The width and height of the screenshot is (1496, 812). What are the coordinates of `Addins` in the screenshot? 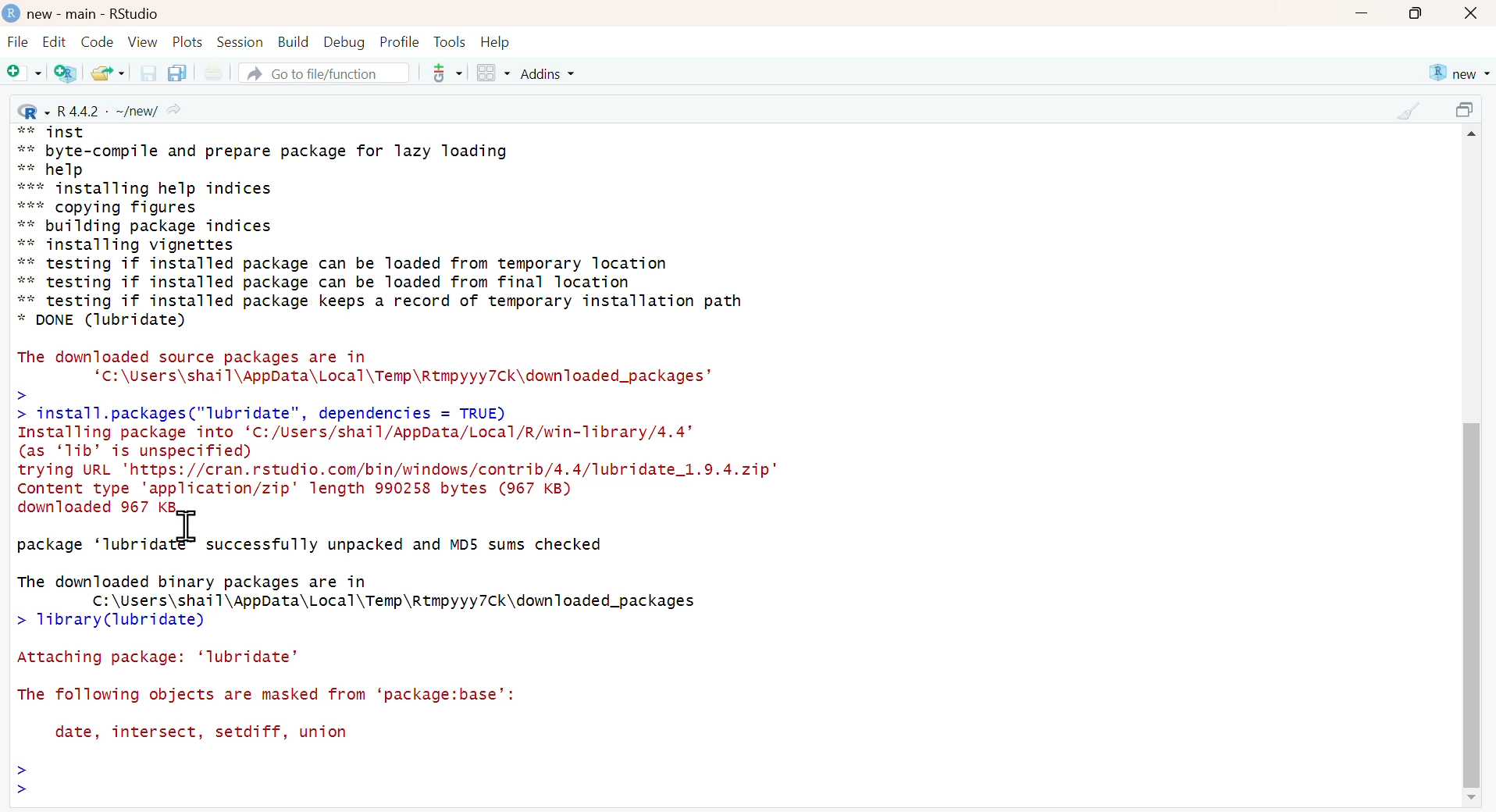 It's located at (550, 73).